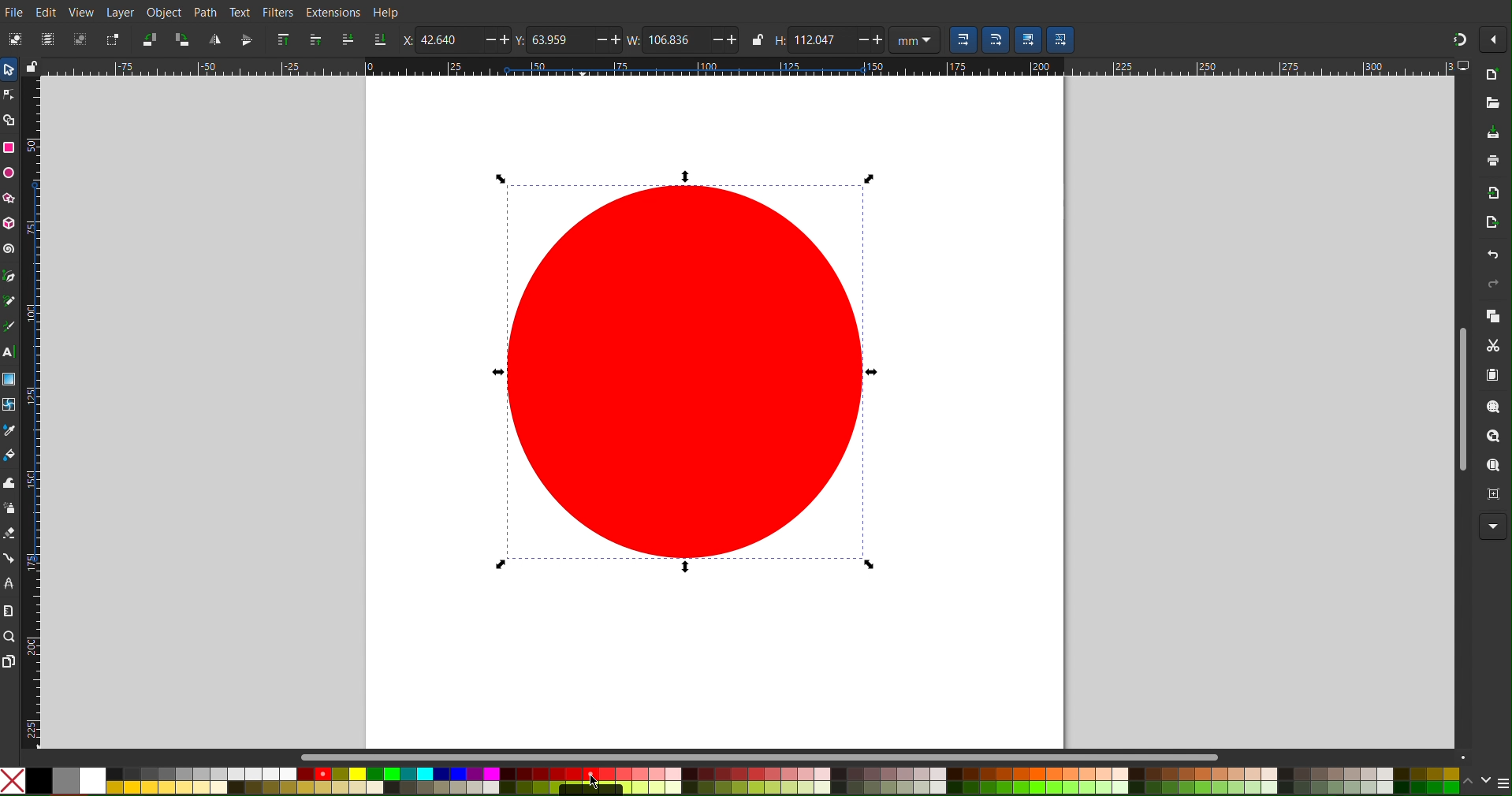 This screenshot has height=796, width=1512. What do you see at coordinates (150, 39) in the screenshot?
I see `Rotate CCW` at bounding box center [150, 39].